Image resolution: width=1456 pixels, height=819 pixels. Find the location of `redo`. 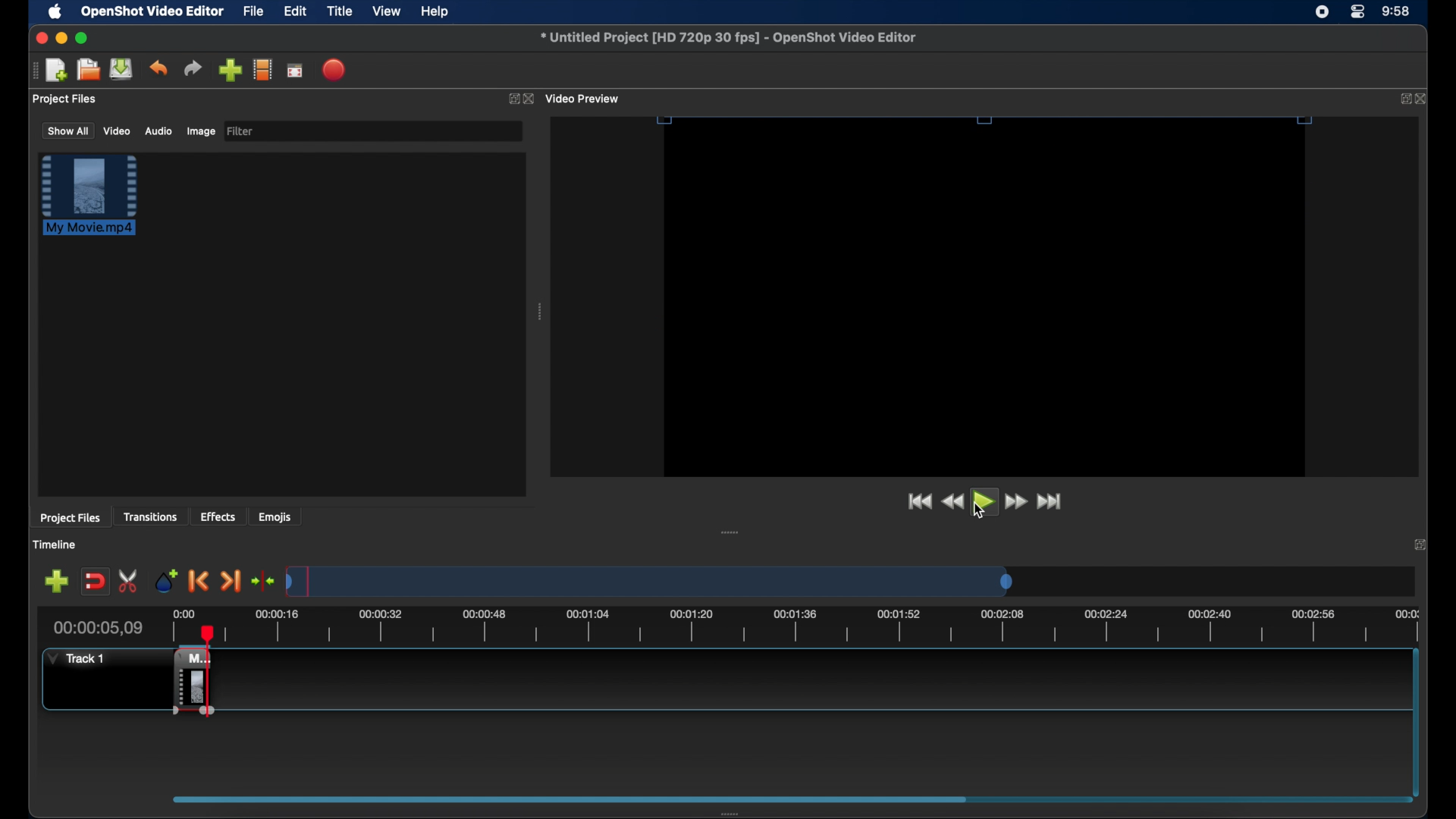

redo is located at coordinates (193, 68).